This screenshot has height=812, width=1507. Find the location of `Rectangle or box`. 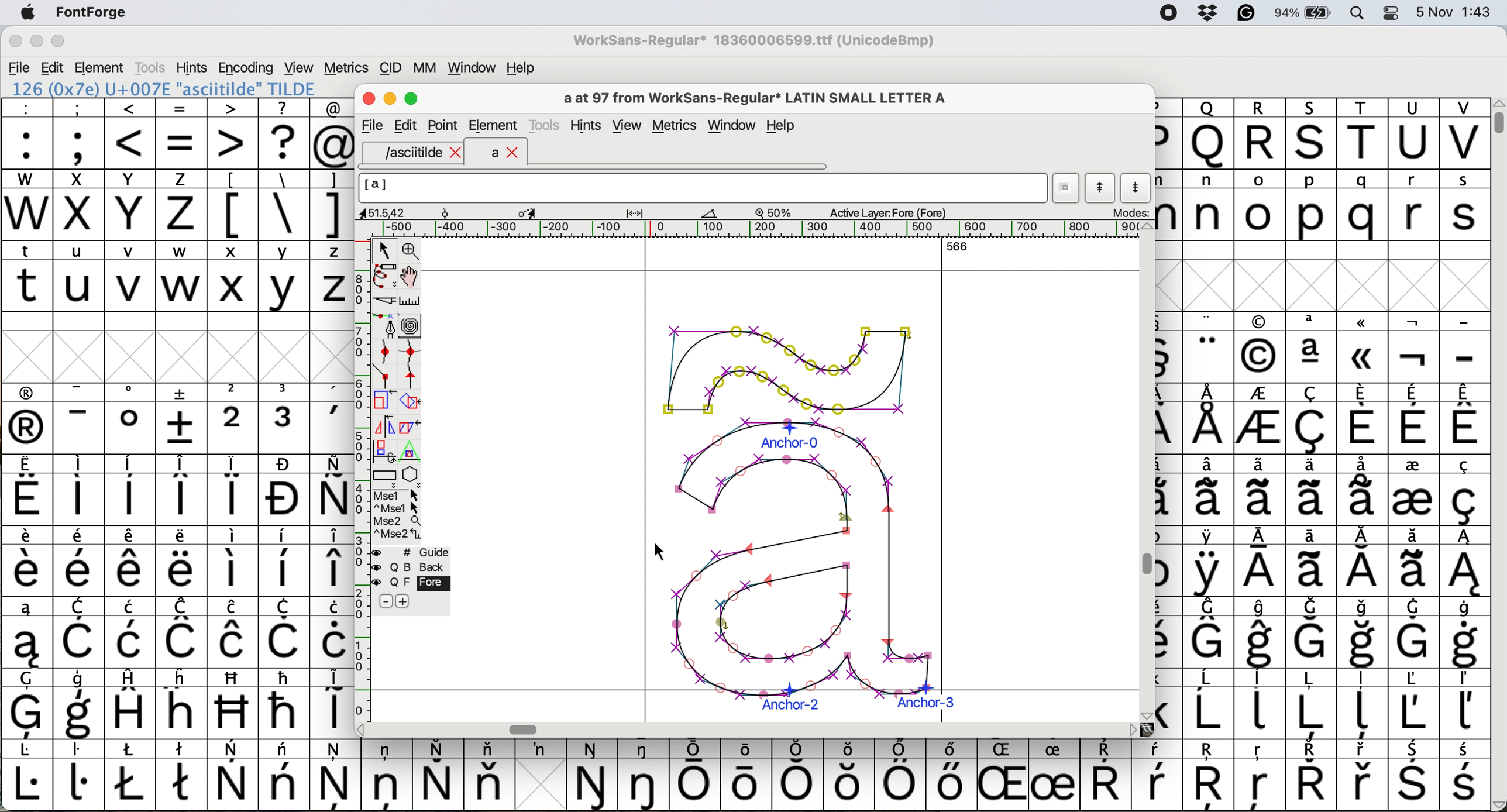

Rectangle or box is located at coordinates (384, 475).